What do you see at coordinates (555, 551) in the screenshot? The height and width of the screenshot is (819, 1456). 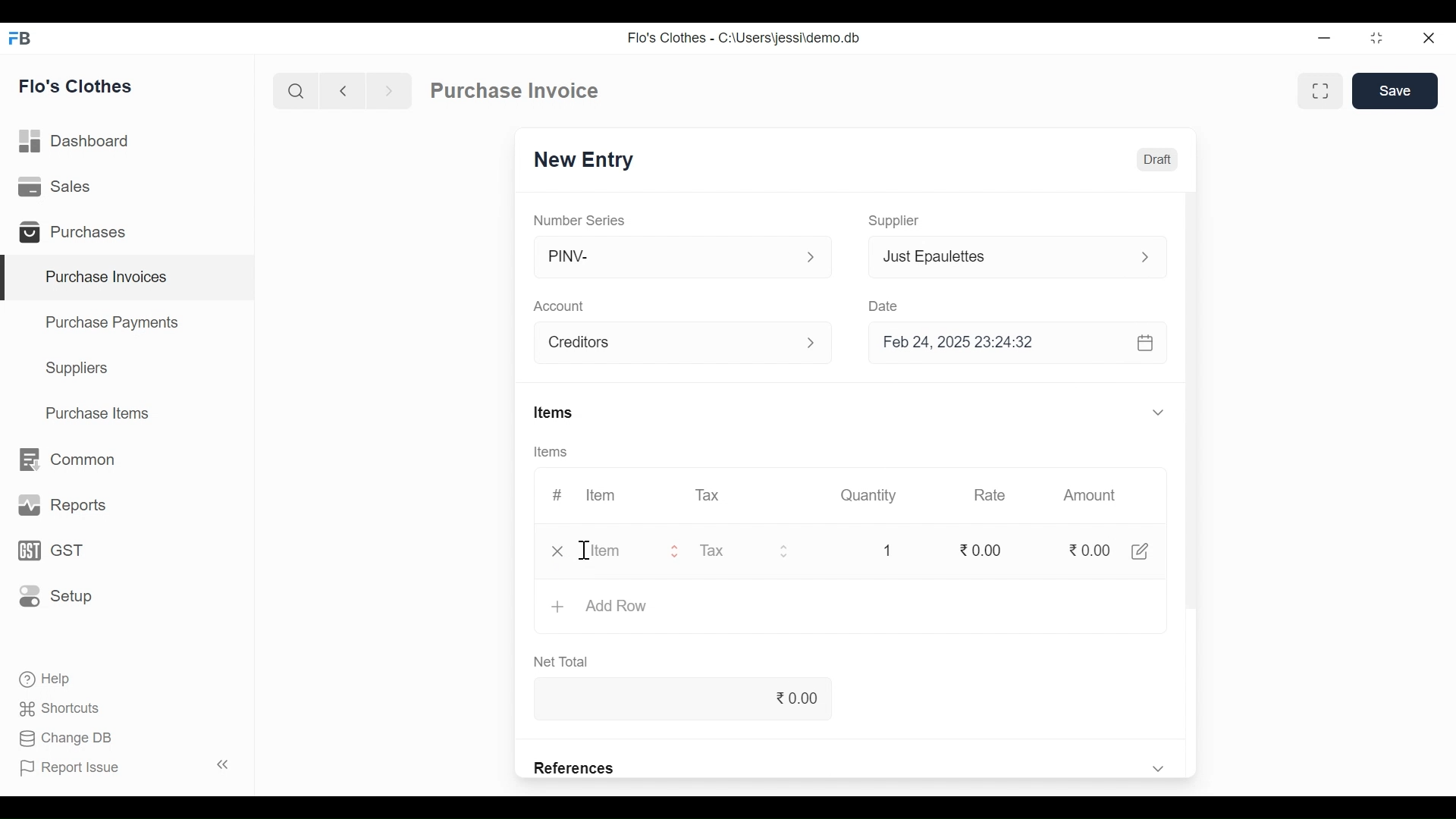 I see `Close` at bounding box center [555, 551].